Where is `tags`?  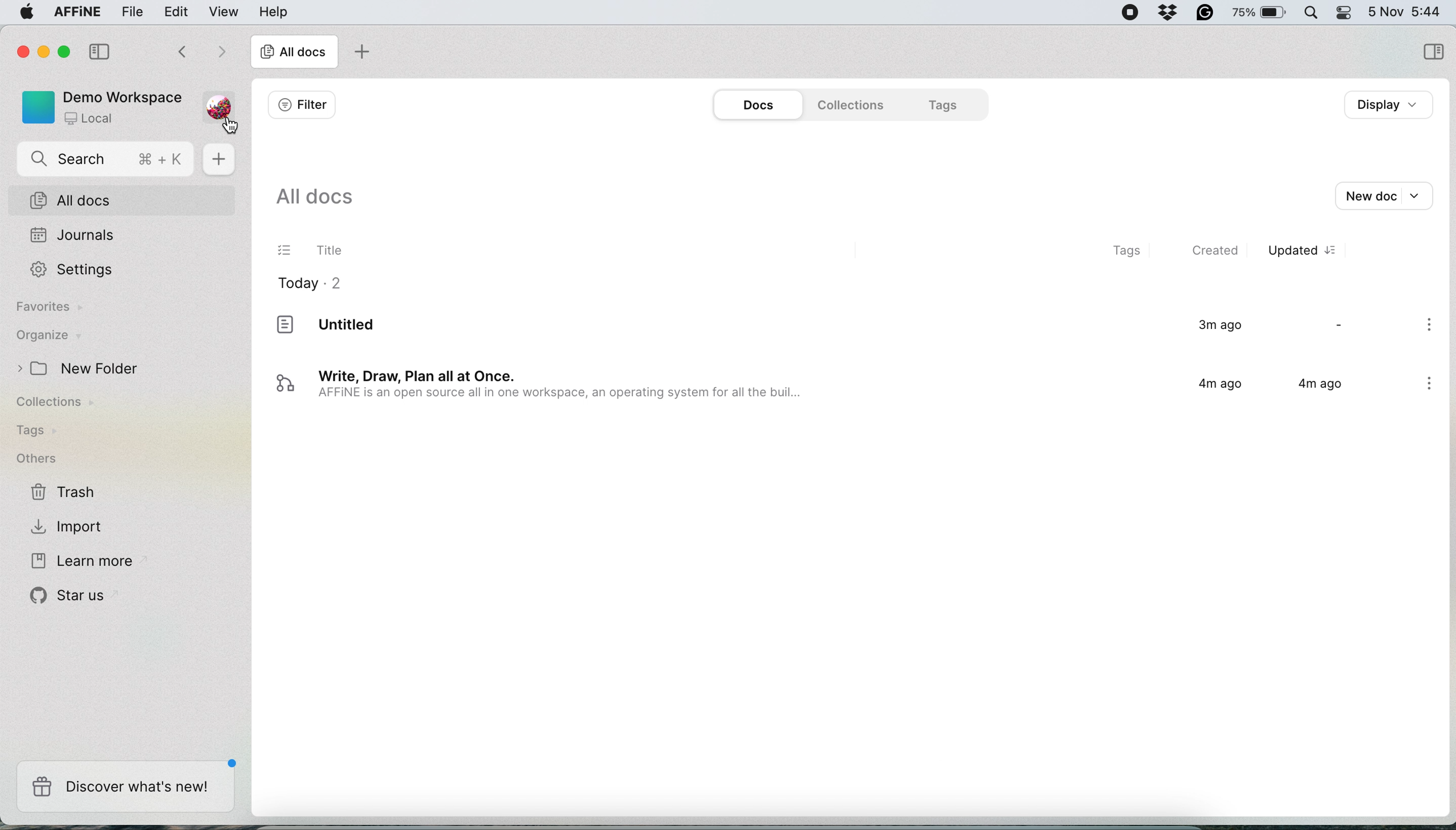 tags is located at coordinates (945, 104).